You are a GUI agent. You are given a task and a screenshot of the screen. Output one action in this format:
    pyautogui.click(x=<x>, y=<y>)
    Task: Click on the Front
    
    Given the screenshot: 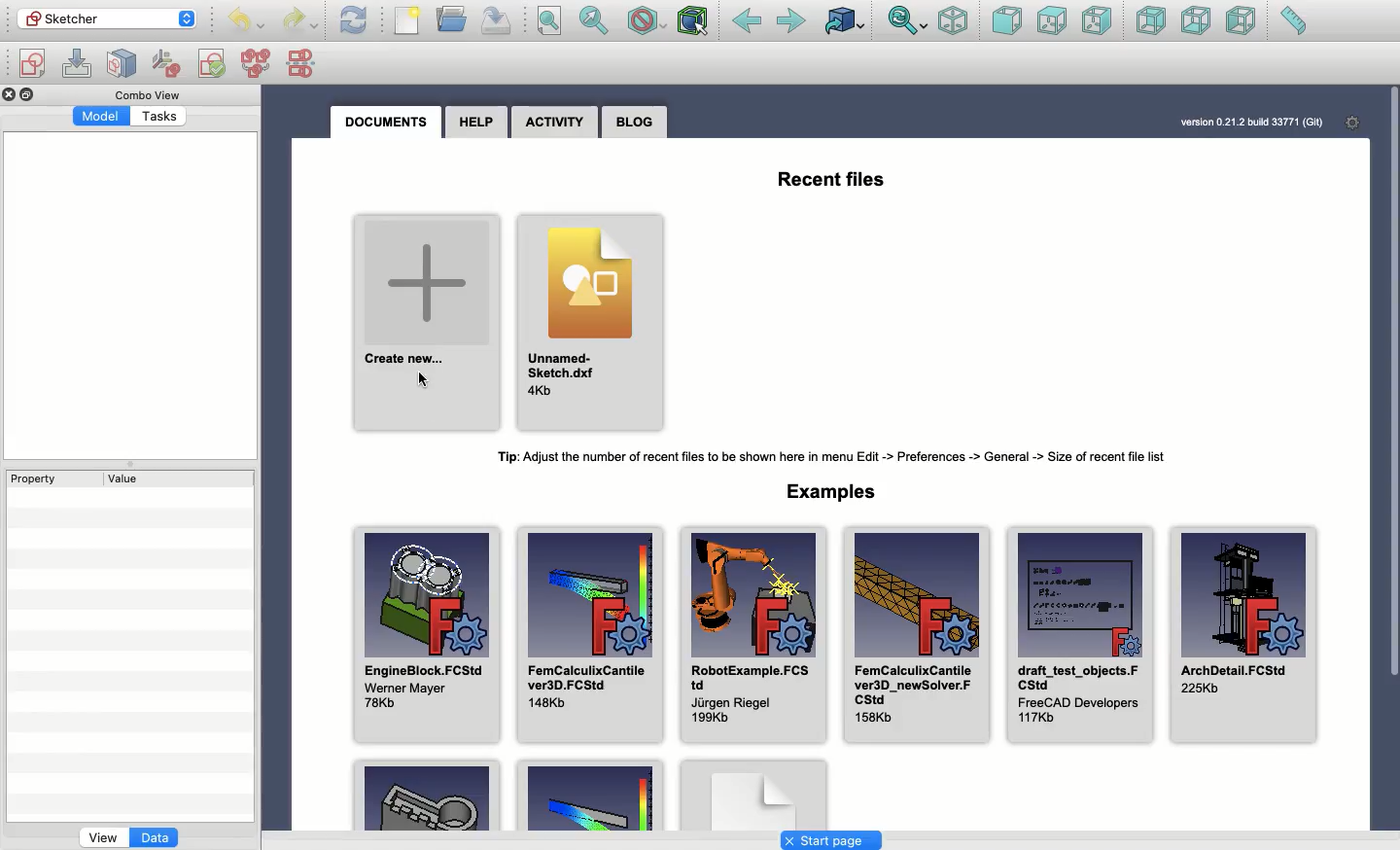 What is the action you would take?
    pyautogui.click(x=1006, y=23)
    